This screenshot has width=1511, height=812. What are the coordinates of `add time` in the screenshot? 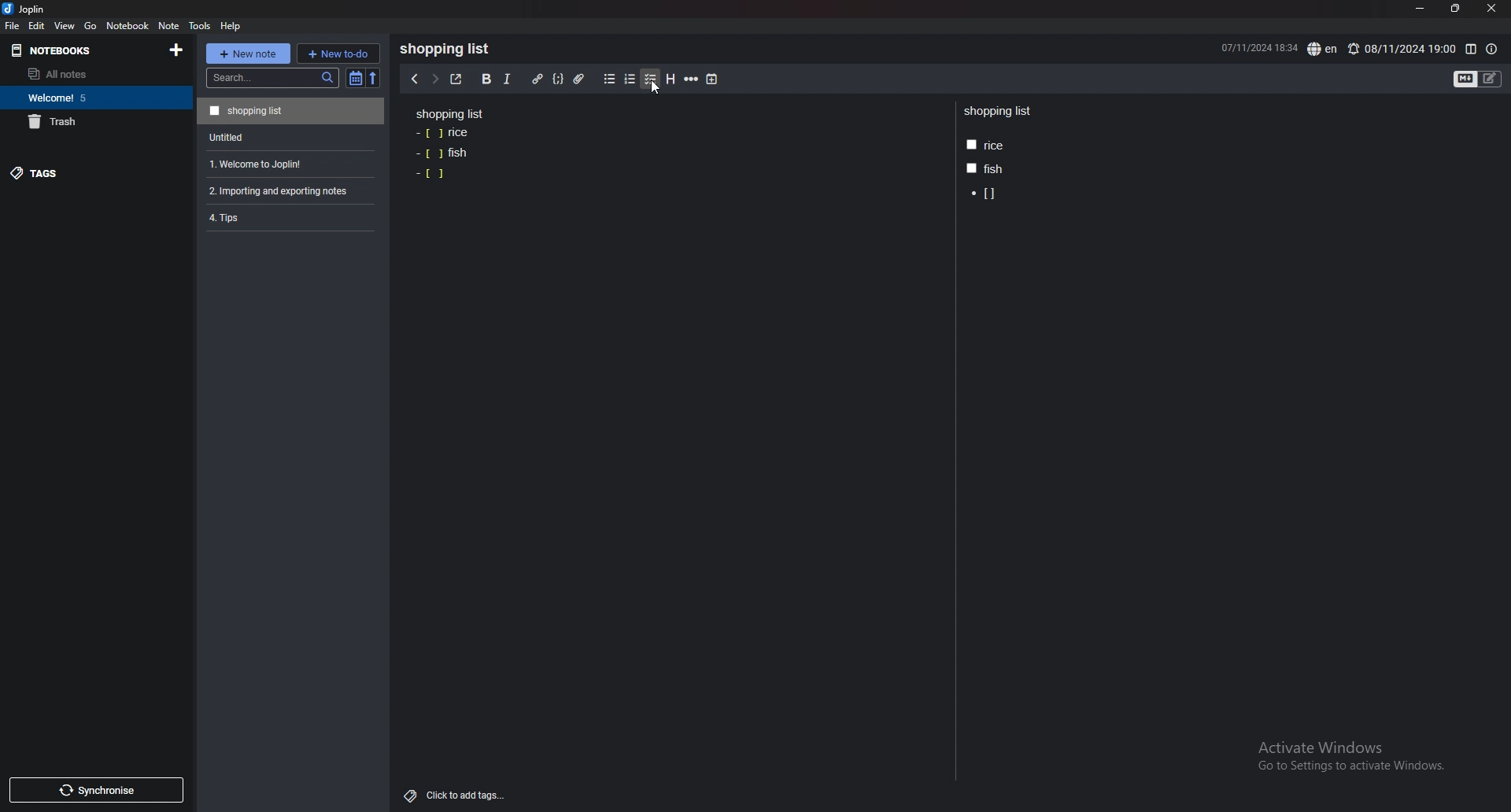 It's located at (713, 79).